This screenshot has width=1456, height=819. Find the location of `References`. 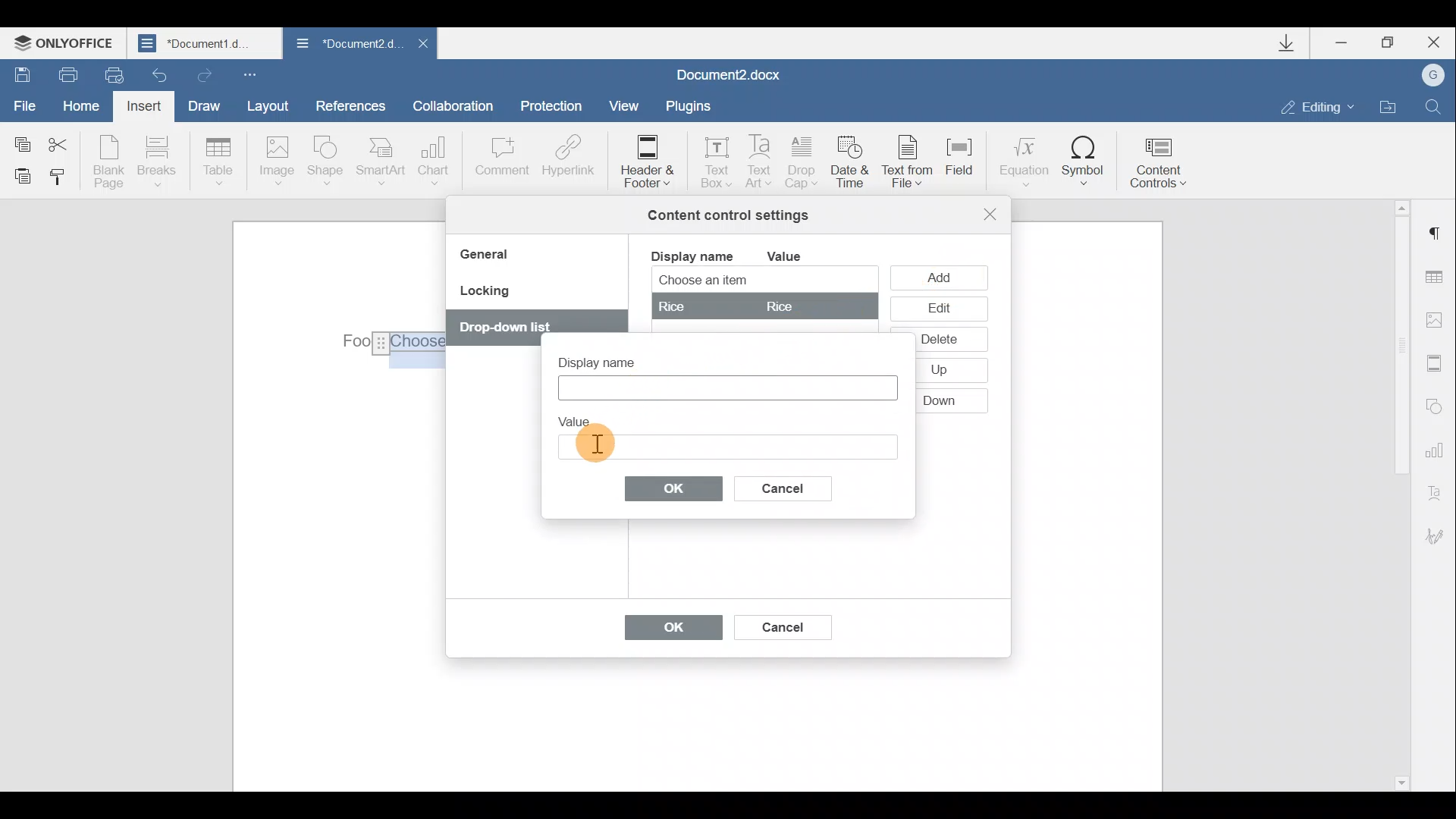

References is located at coordinates (350, 104).